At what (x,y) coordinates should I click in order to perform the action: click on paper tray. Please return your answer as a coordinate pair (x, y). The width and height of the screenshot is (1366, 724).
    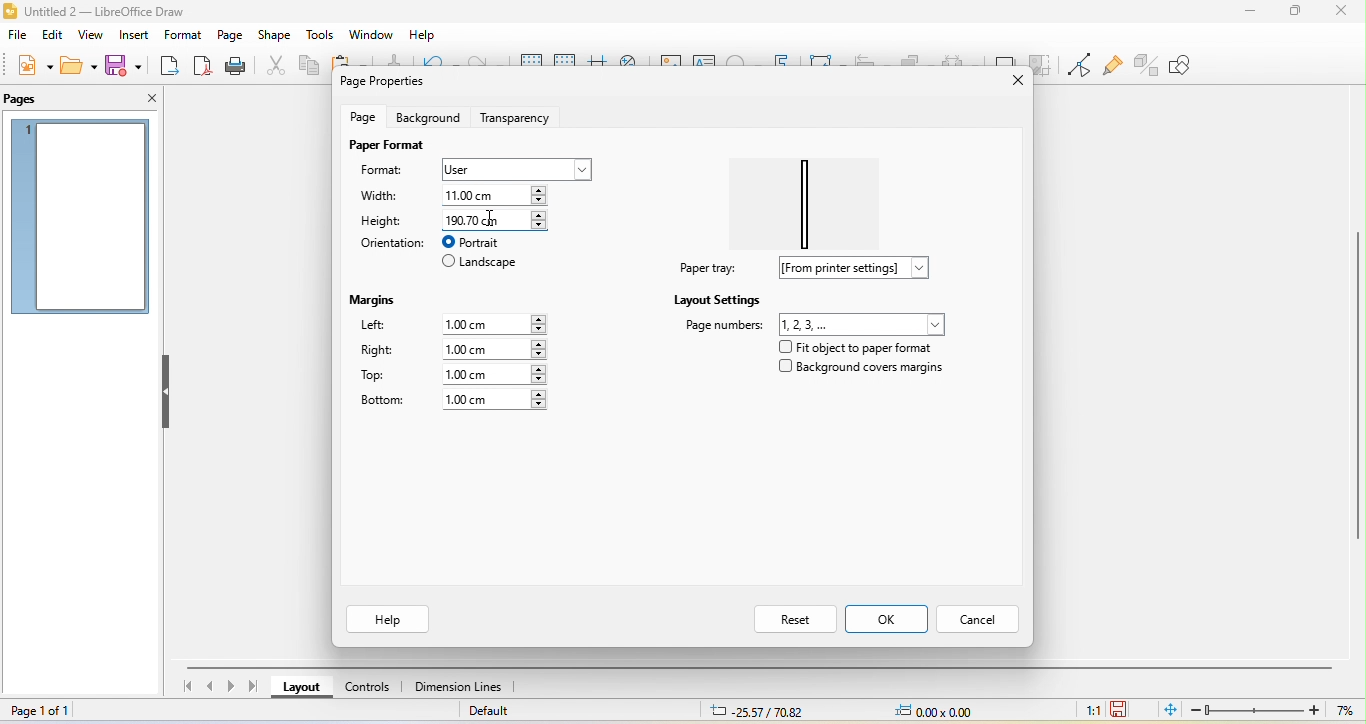
    Looking at the image, I should click on (705, 268).